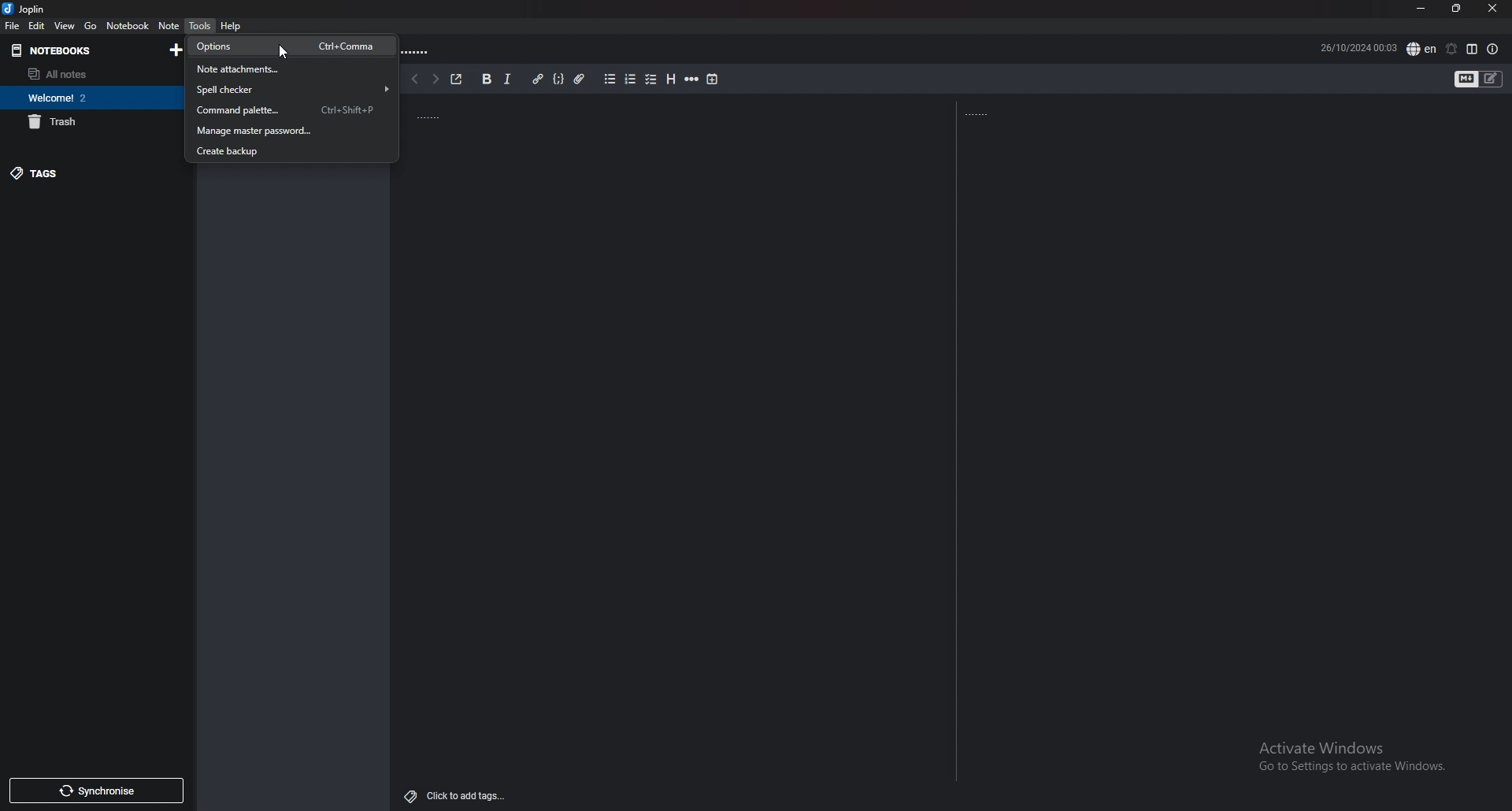 The height and width of the screenshot is (811, 1512). Describe the element at coordinates (91, 25) in the screenshot. I see `go` at that location.